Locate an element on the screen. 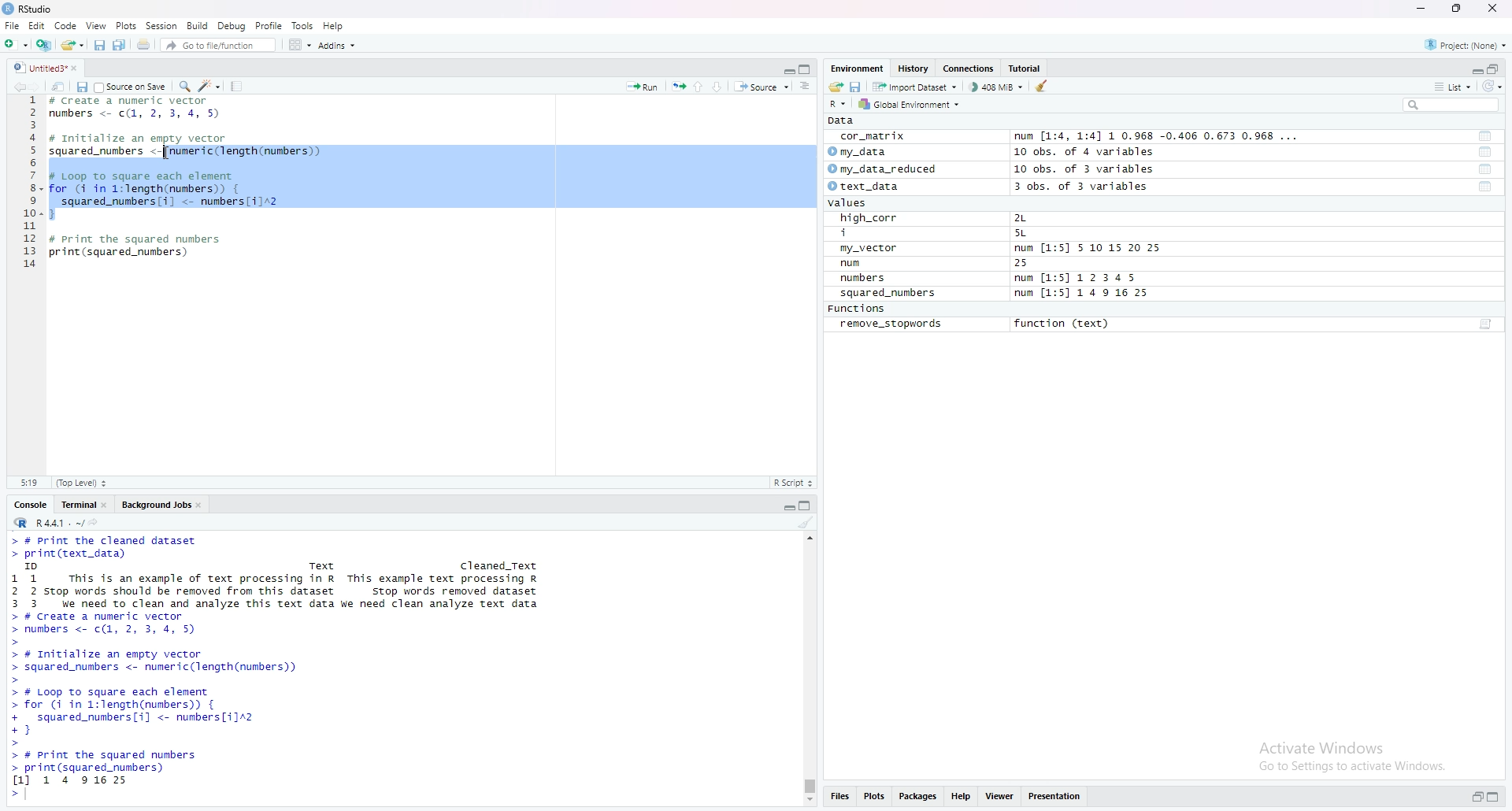  function (text) is located at coordinates (1064, 324).